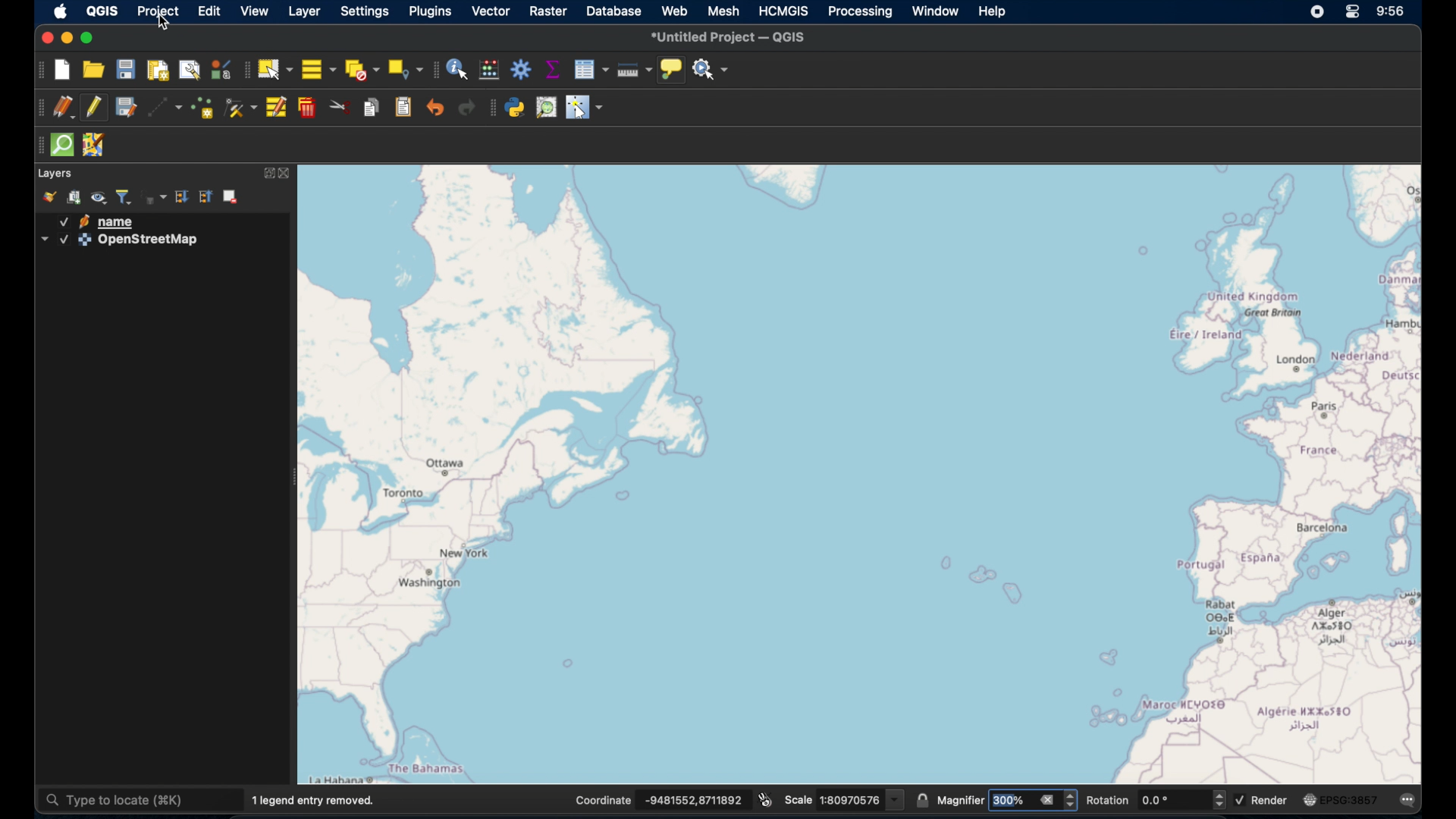 This screenshot has height=819, width=1456. What do you see at coordinates (46, 38) in the screenshot?
I see `close` at bounding box center [46, 38].